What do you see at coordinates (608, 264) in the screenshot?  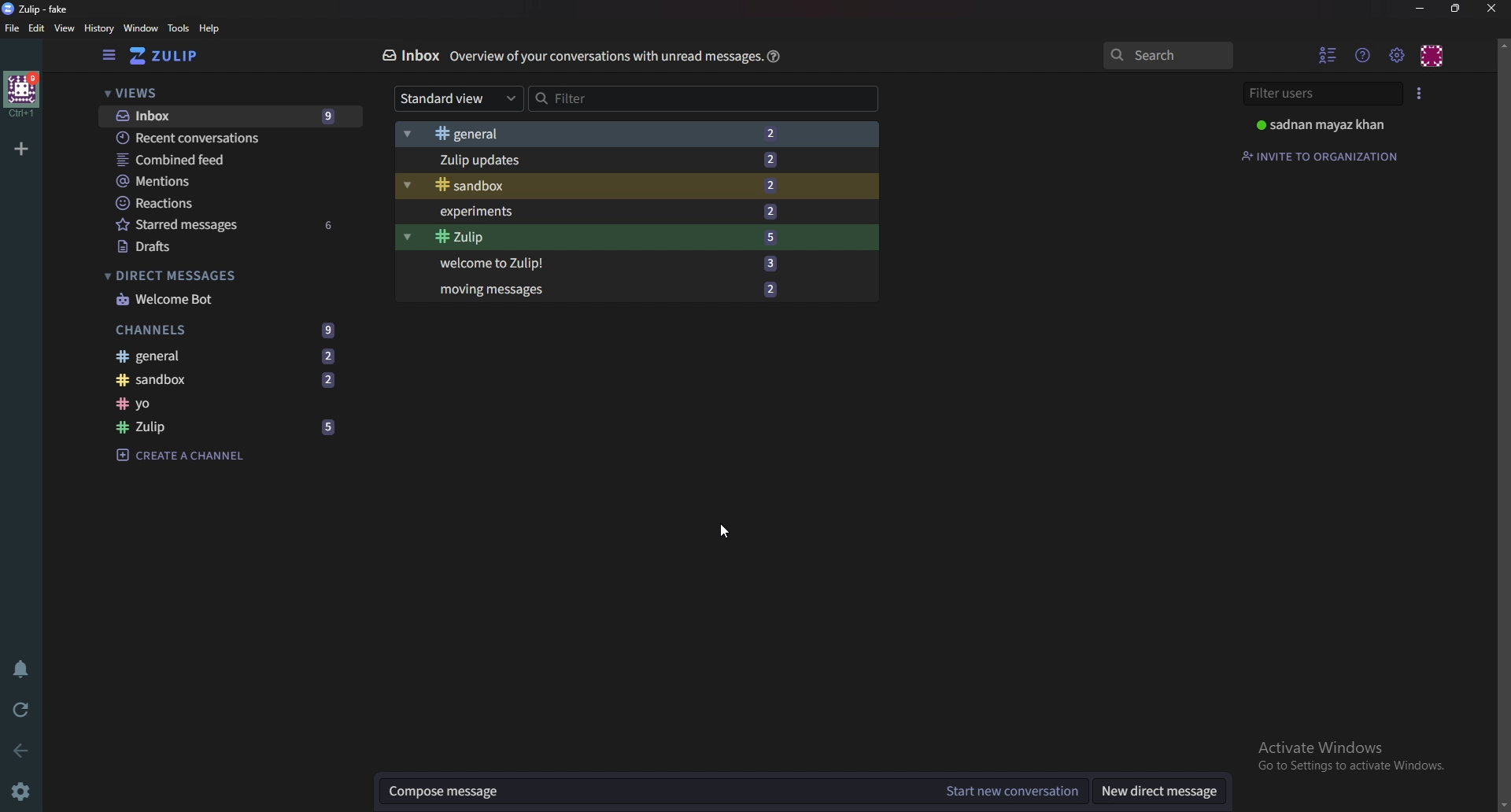 I see `Welcome to zulip` at bounding box center [608, 264].